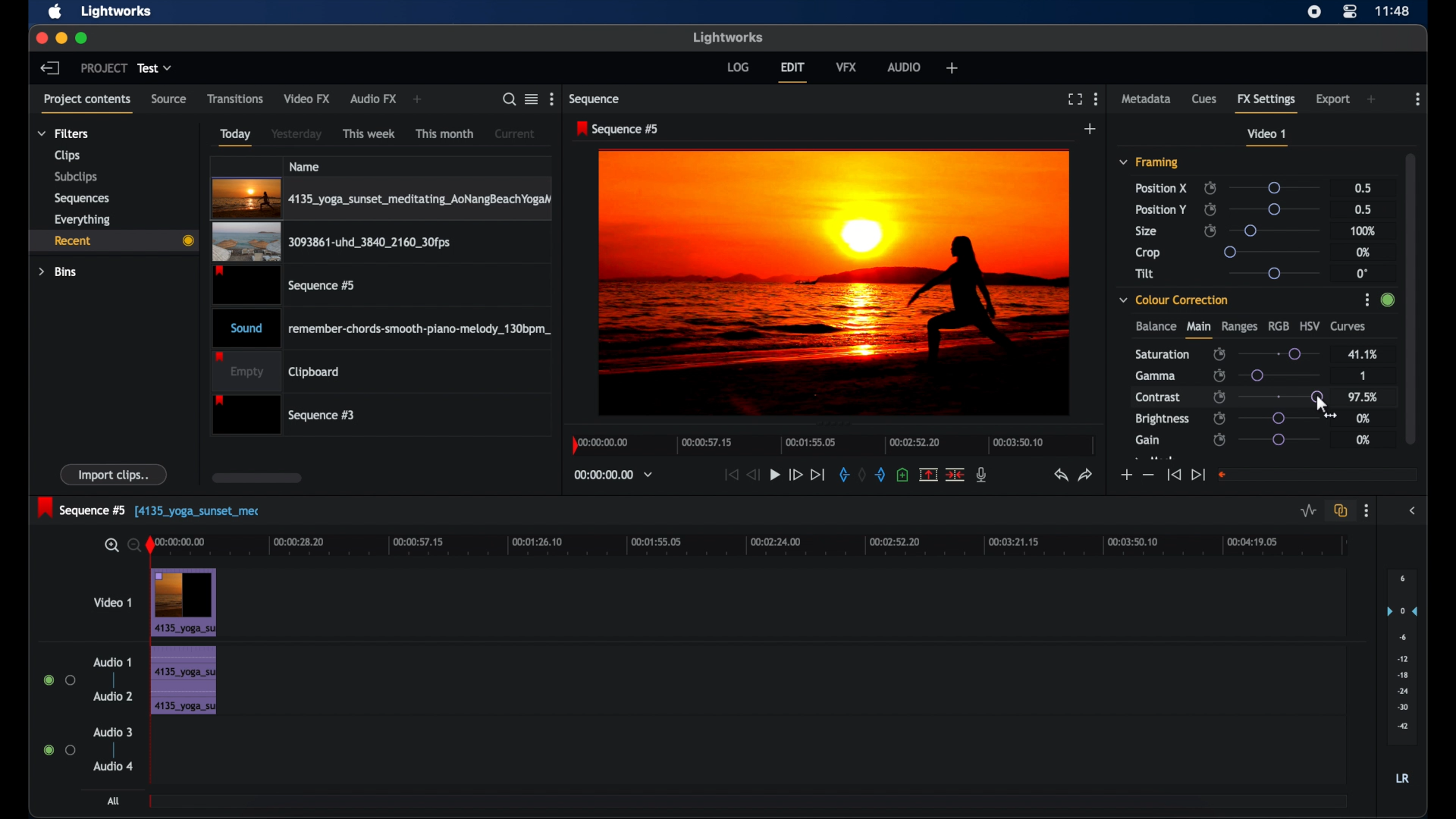 The height and width of the screenshot is (819, 1456). What do you see at coordinates (1155, 375) in the screenshot?
I see `gamma` at bounding box center [1155, 375].